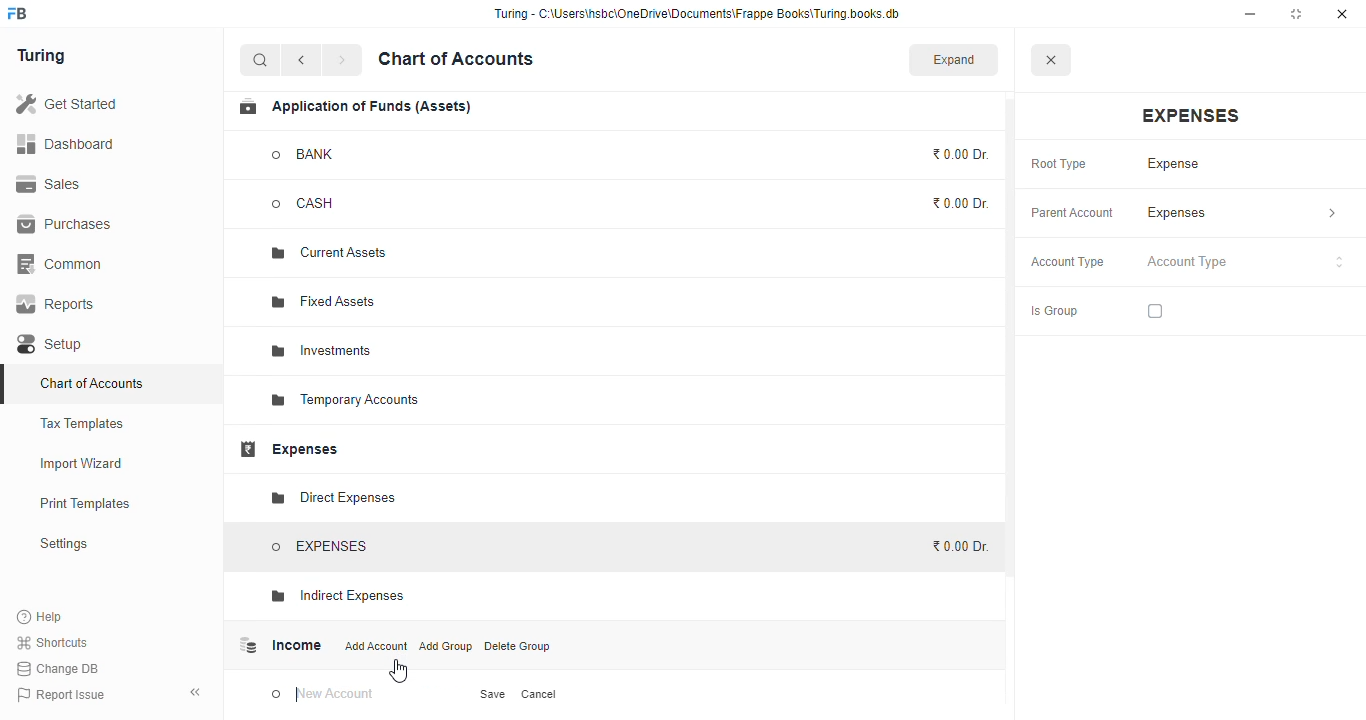  What do you see at coordinates (322, 204) in the screenshot?
I see `CASH` at bounding box center [322, 204].